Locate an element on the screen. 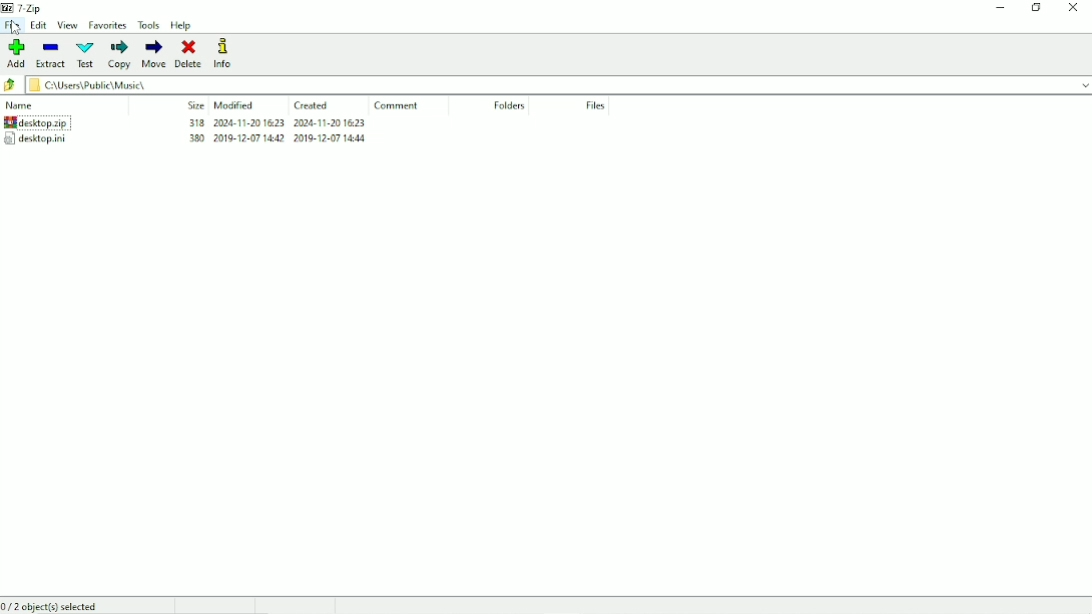 This screenshot has width=1092, height=614. Comment is located at coordinates (397, 106).